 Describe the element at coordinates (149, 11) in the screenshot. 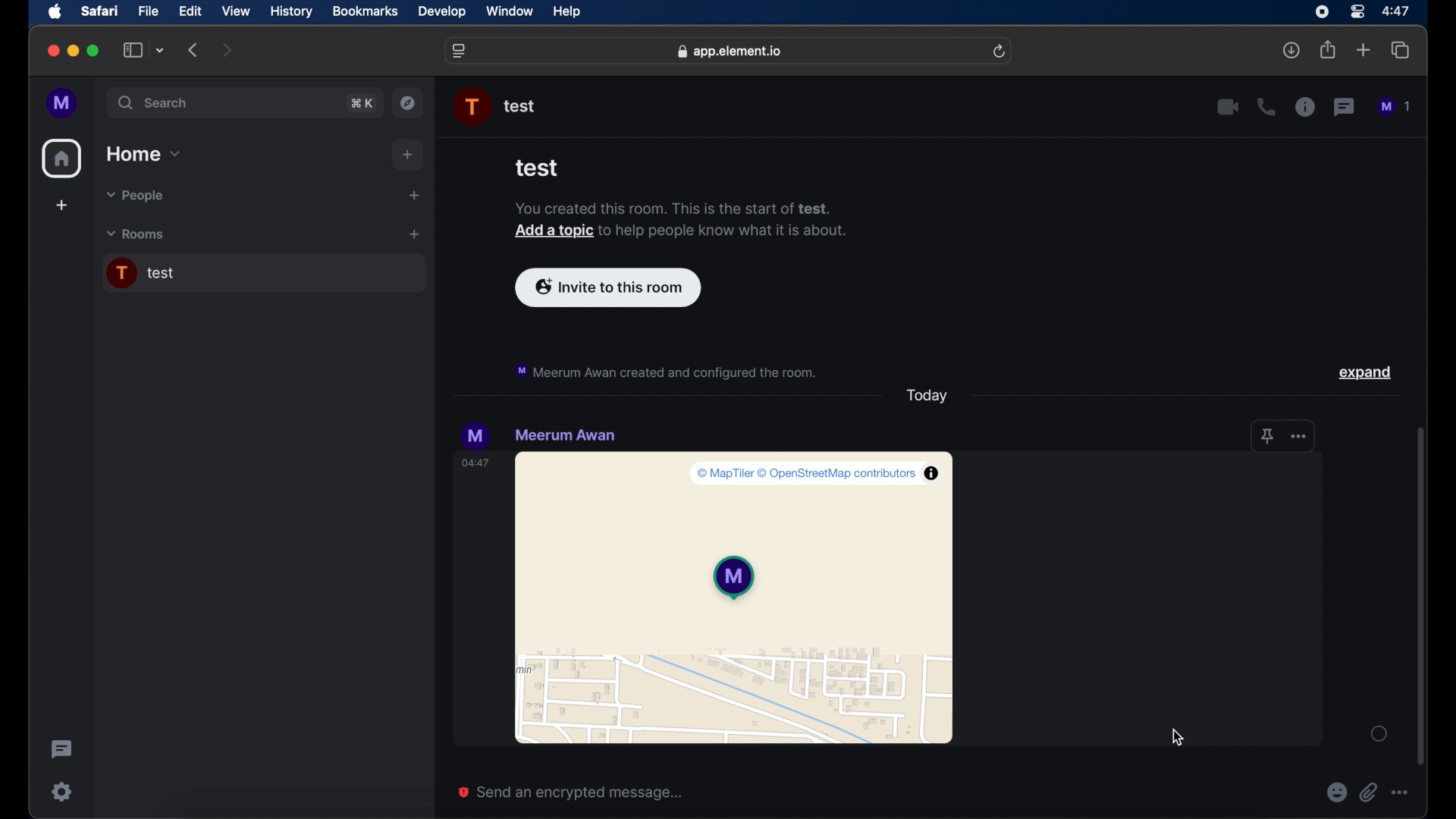

I see `file` at that location.